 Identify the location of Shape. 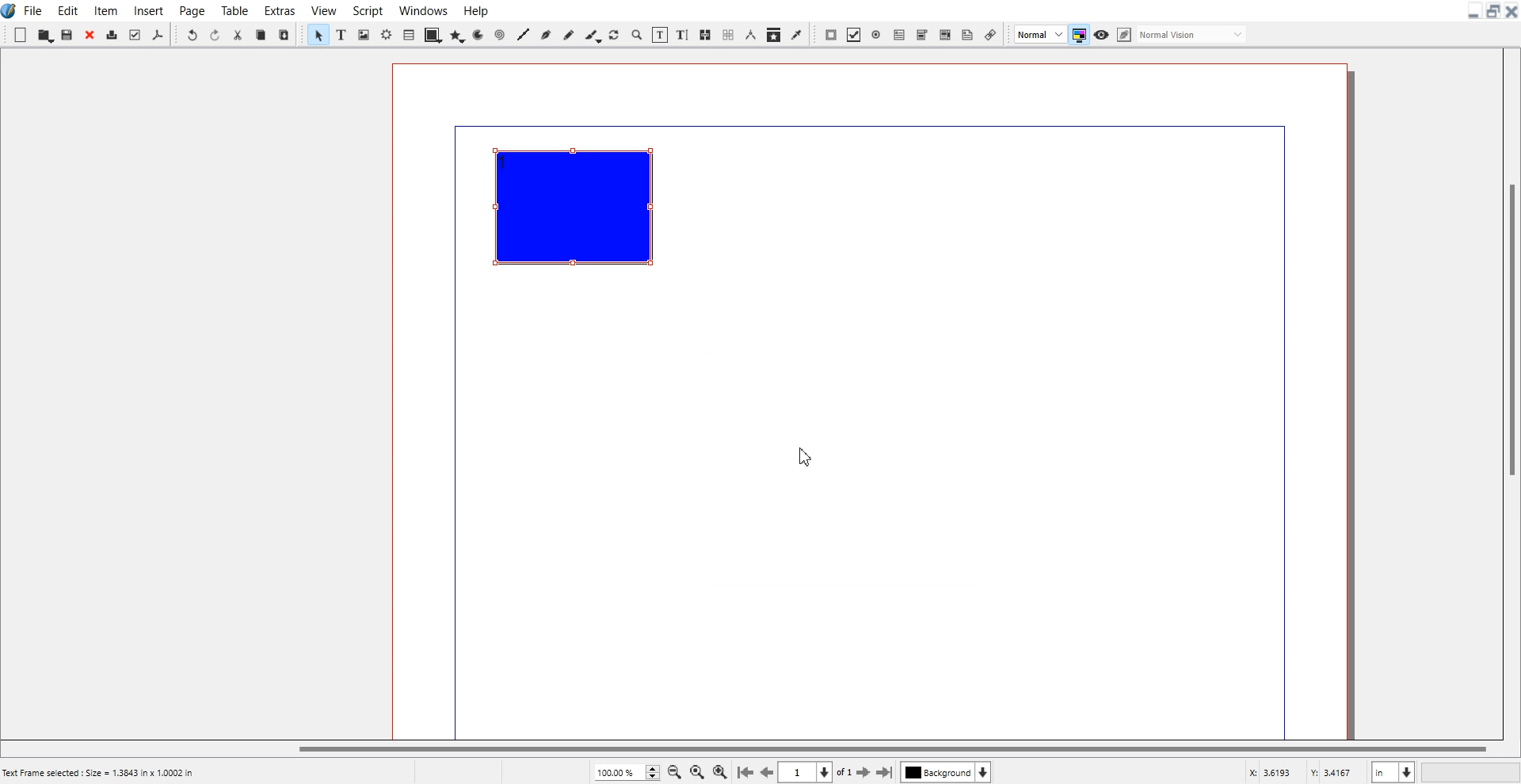
(433, 34).